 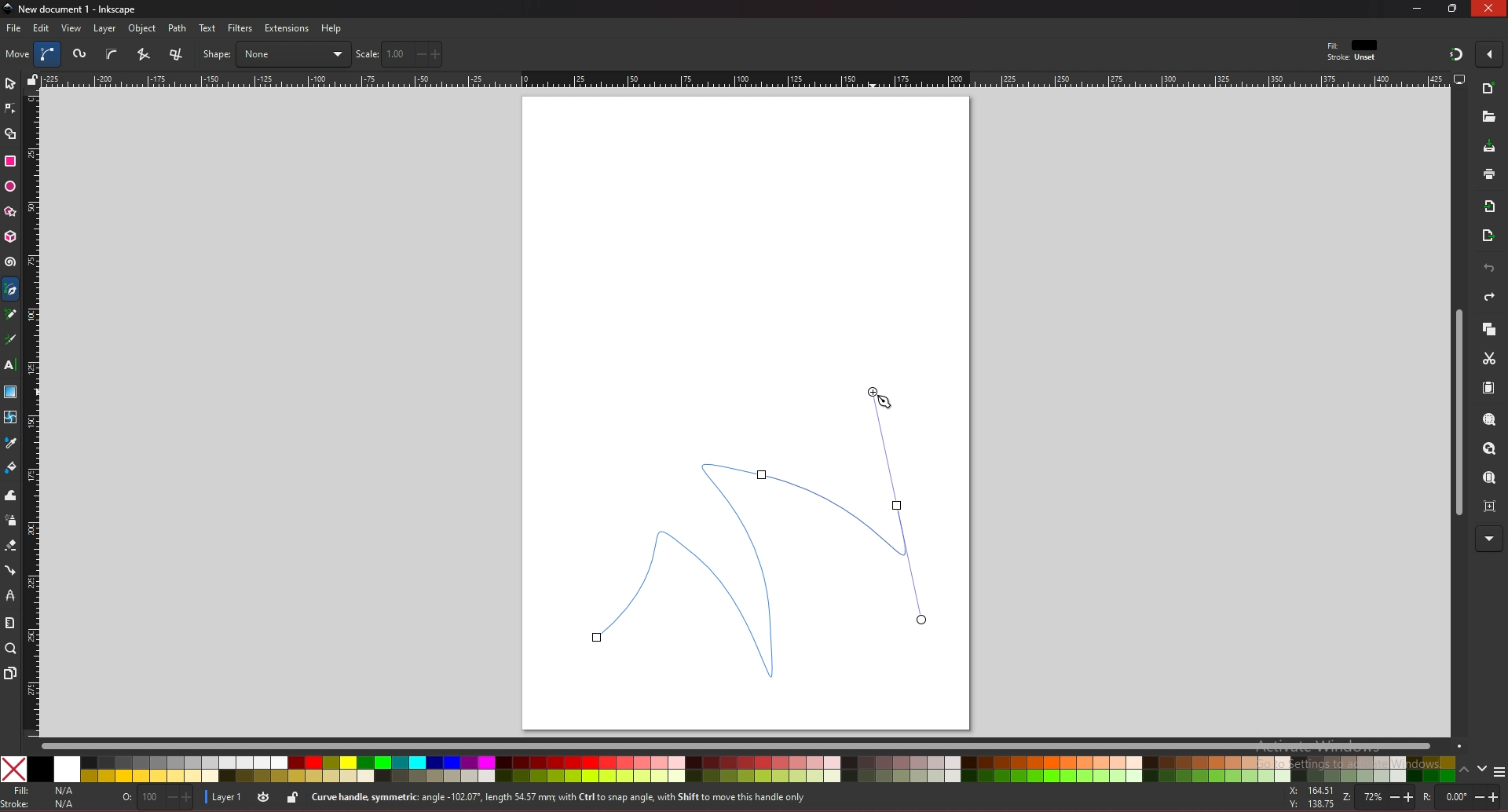 I want to click on up, so click(x=1465, y=772).